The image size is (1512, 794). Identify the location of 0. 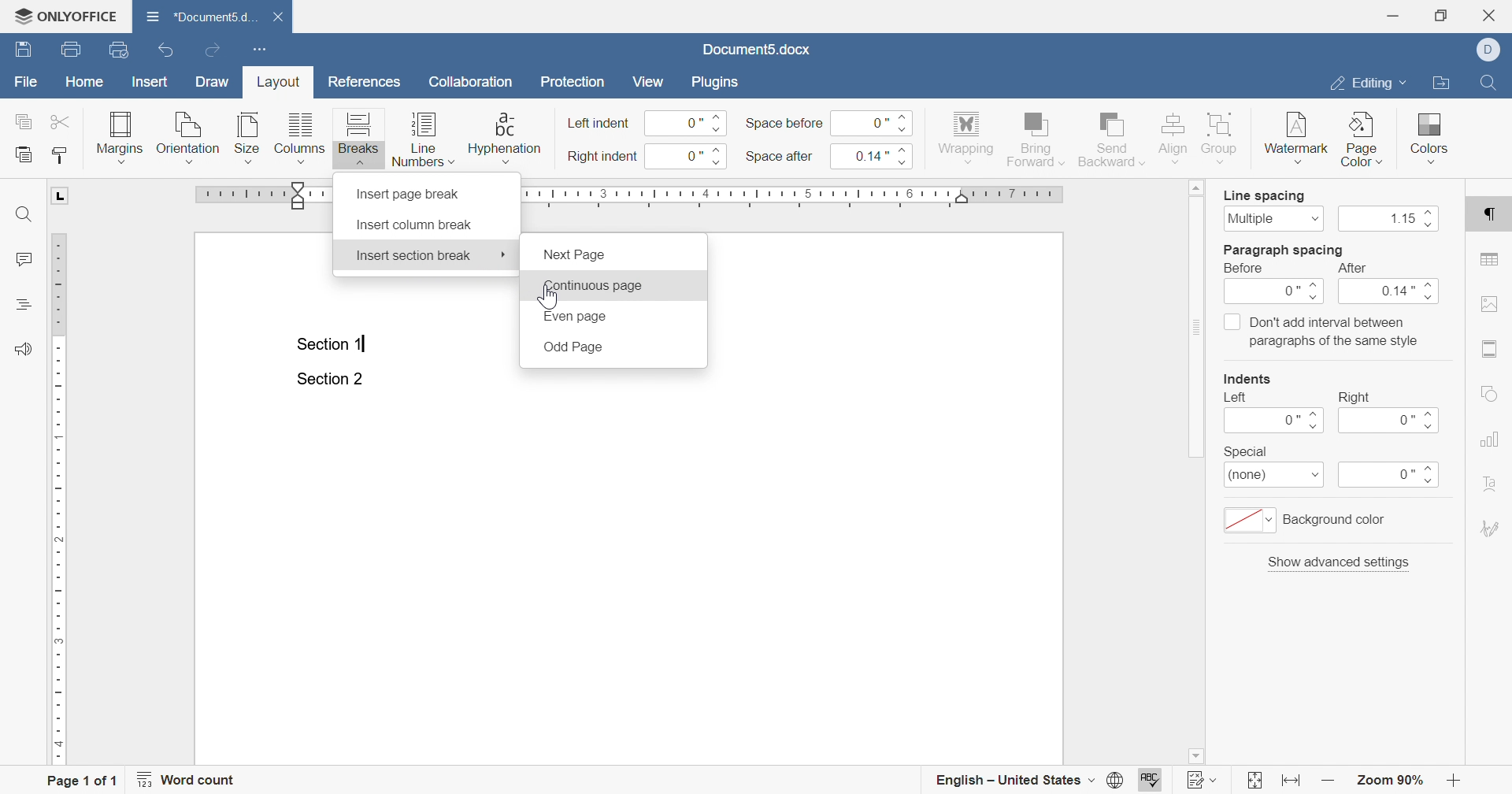
(873, 121).